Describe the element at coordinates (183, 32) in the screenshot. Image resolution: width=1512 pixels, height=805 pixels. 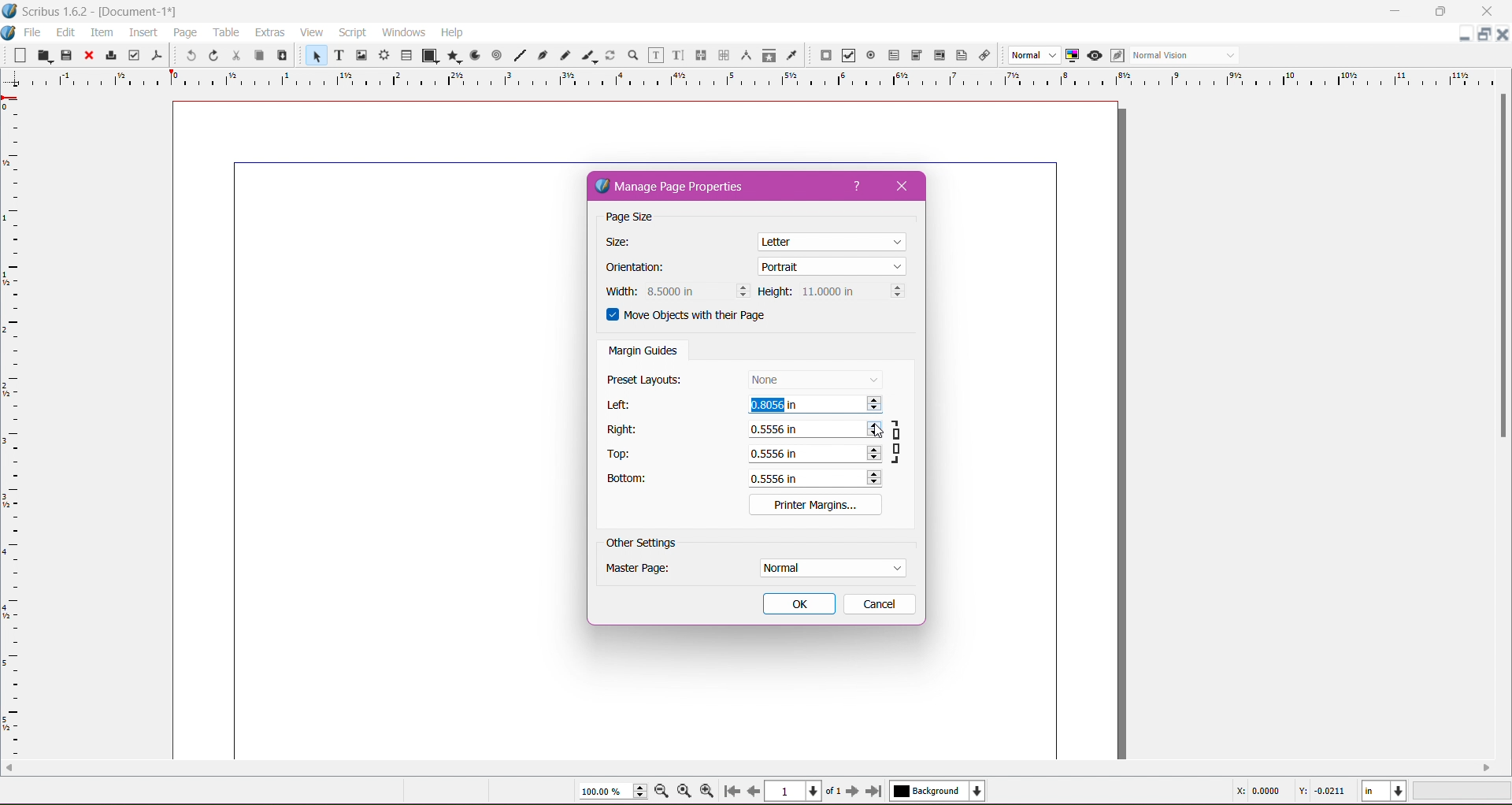
I see `Page` at that location.